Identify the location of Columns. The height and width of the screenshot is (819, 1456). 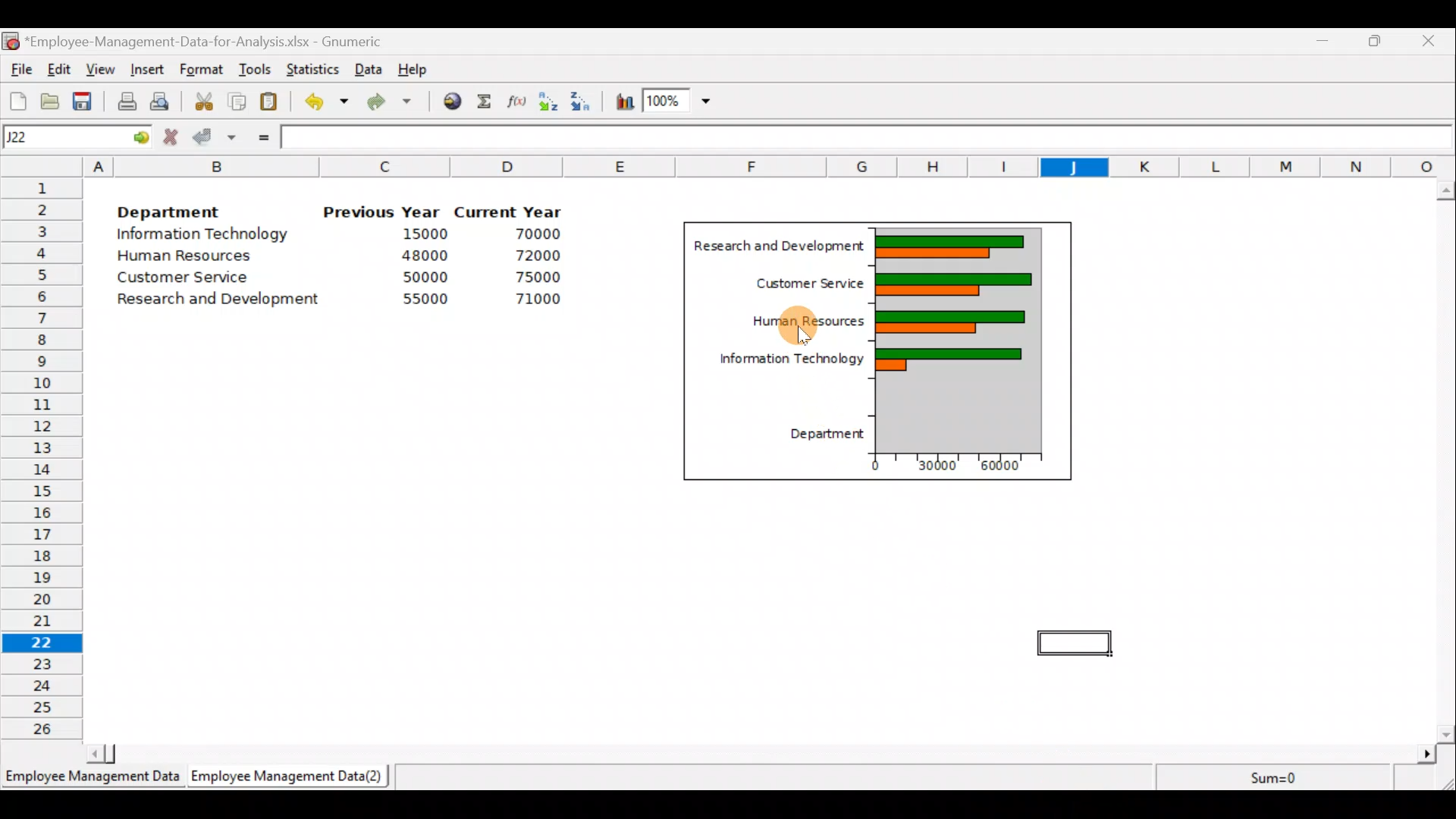
(728, 162).